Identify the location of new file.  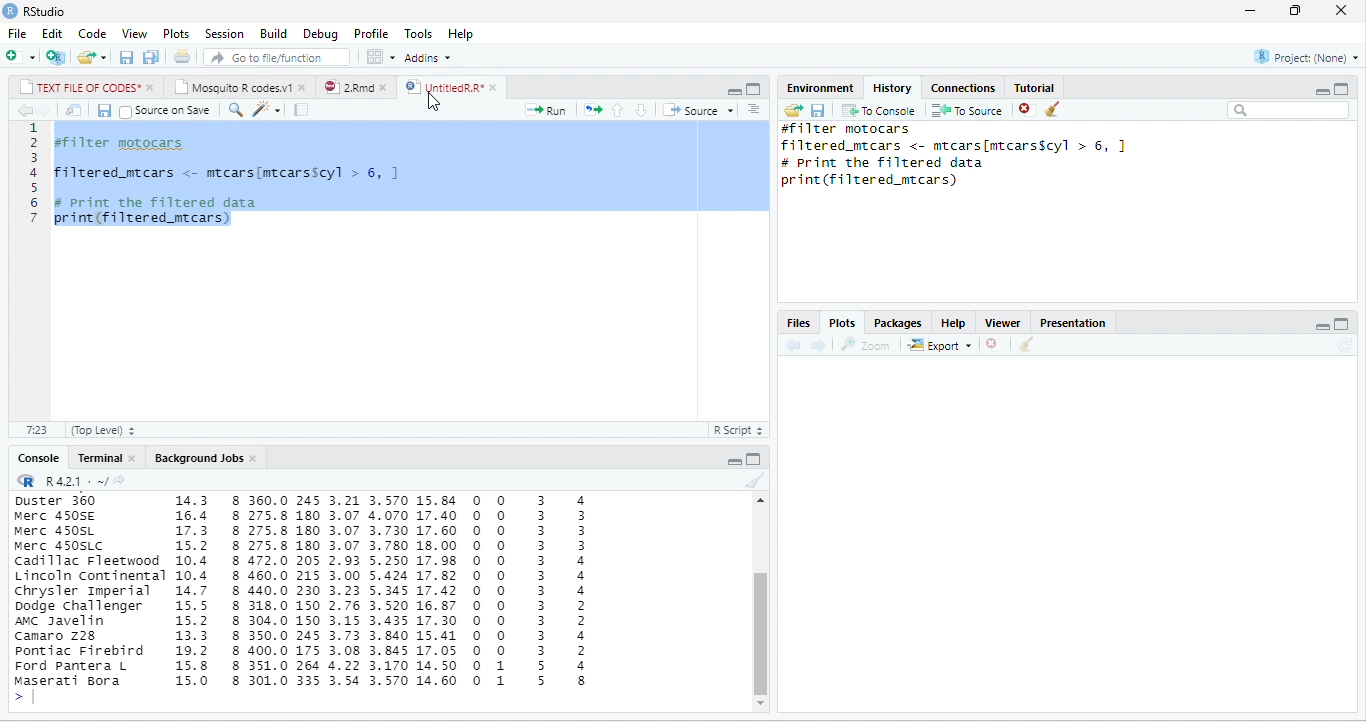
(21, 56).